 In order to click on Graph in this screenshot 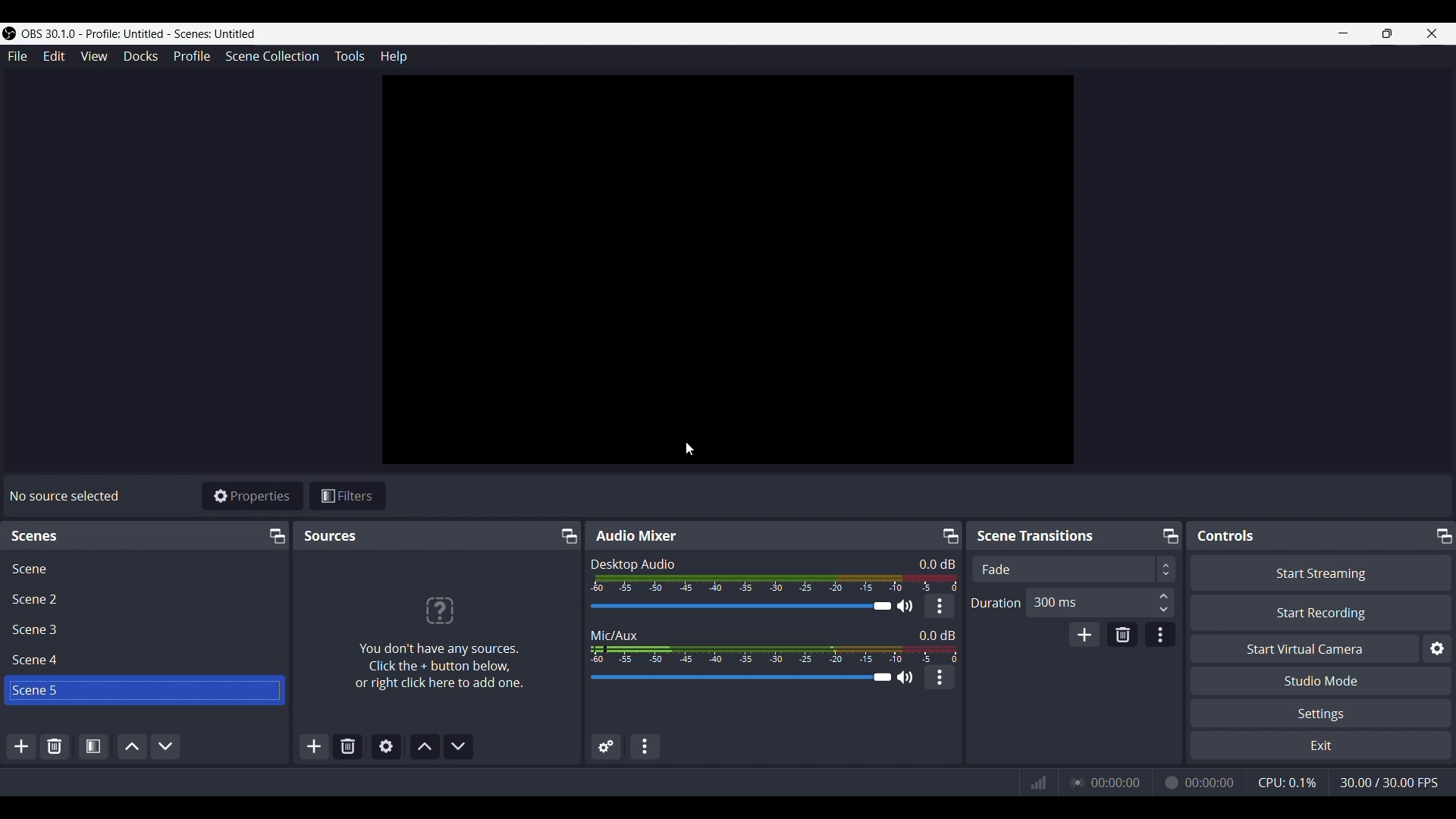, I will do `click(1039, 783)`.